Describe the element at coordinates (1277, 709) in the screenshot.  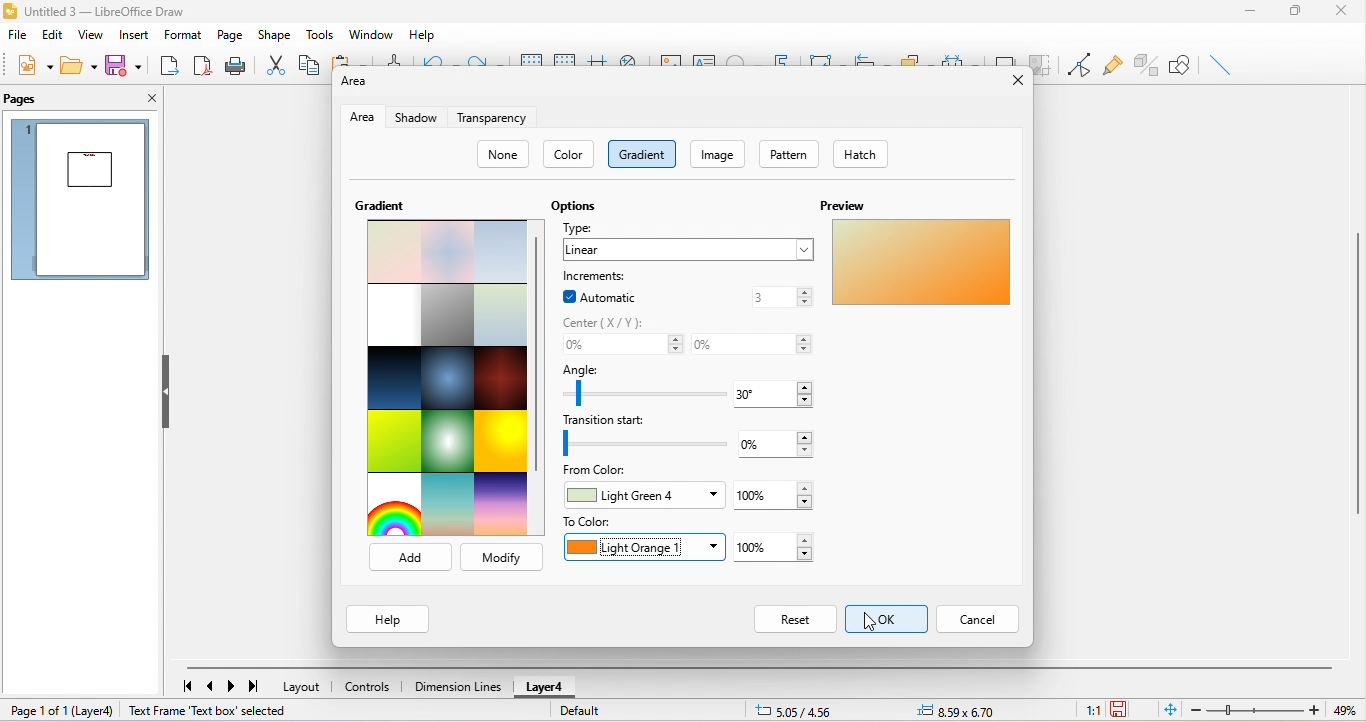
I see `zoom` at that location.